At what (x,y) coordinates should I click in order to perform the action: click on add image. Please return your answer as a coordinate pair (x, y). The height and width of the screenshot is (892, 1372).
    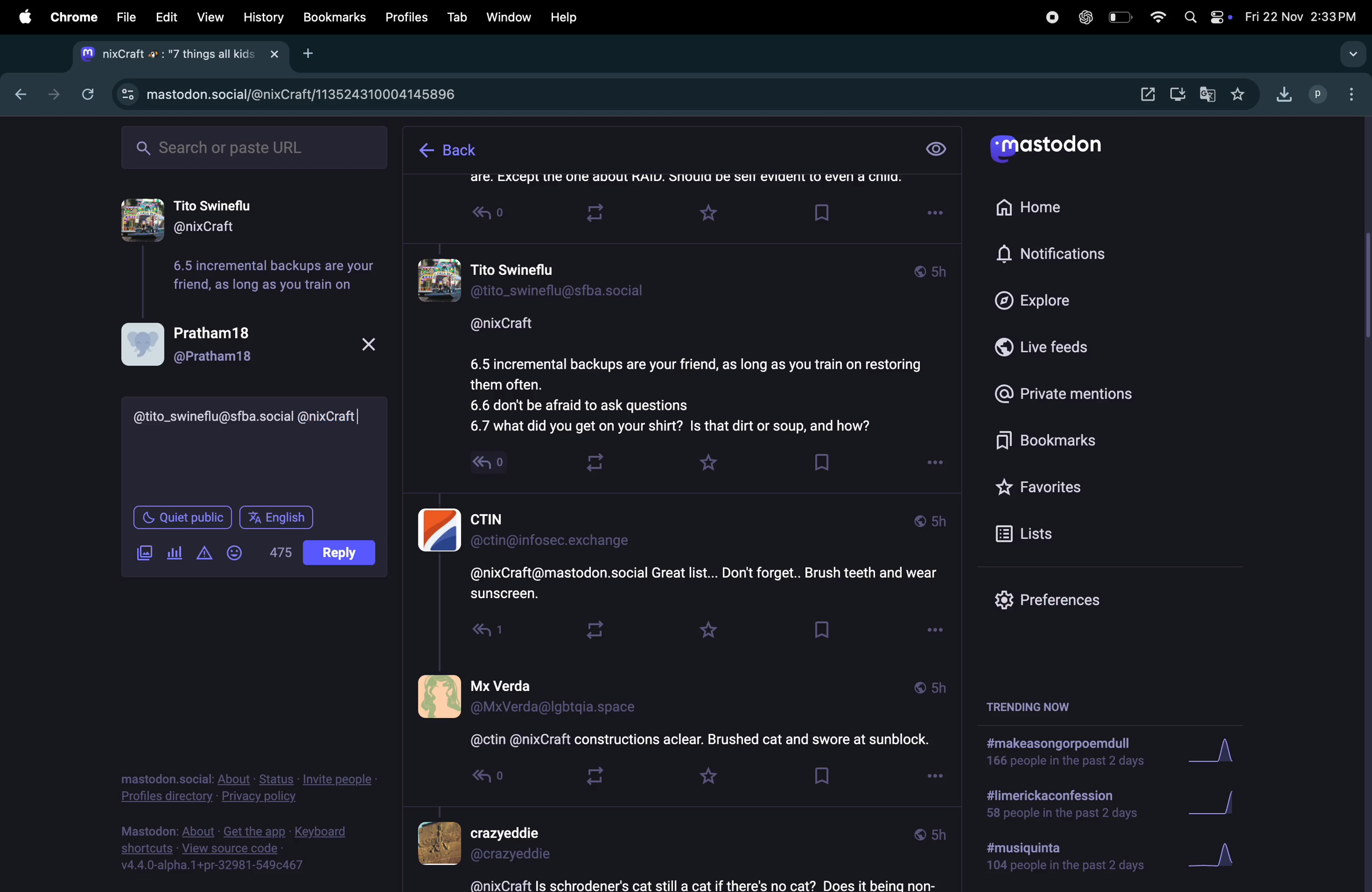
    Looking at the image, I should click on (142, 554).